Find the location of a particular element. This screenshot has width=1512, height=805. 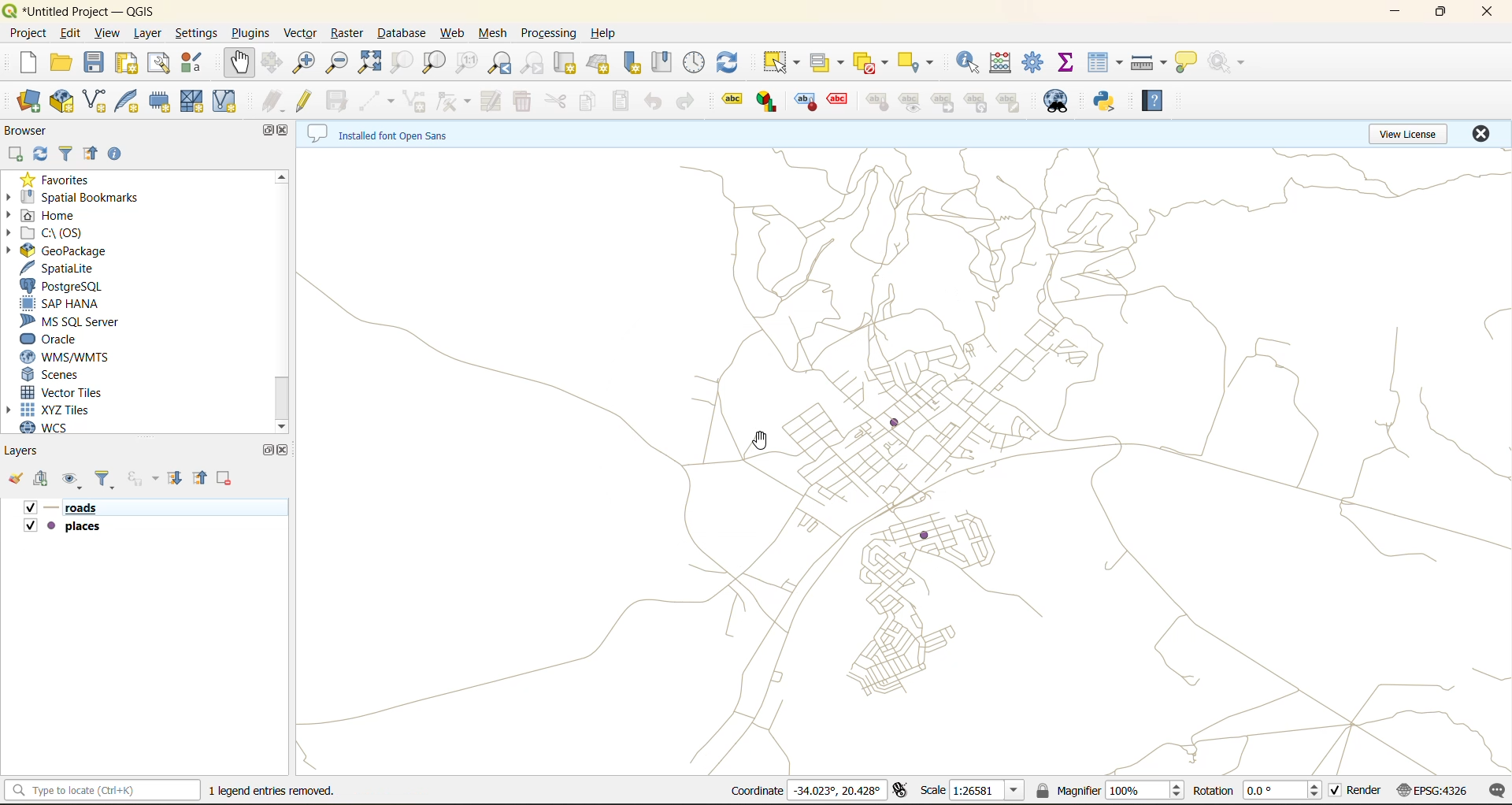

spatial bookmarks is located at coordinates (86, 196).